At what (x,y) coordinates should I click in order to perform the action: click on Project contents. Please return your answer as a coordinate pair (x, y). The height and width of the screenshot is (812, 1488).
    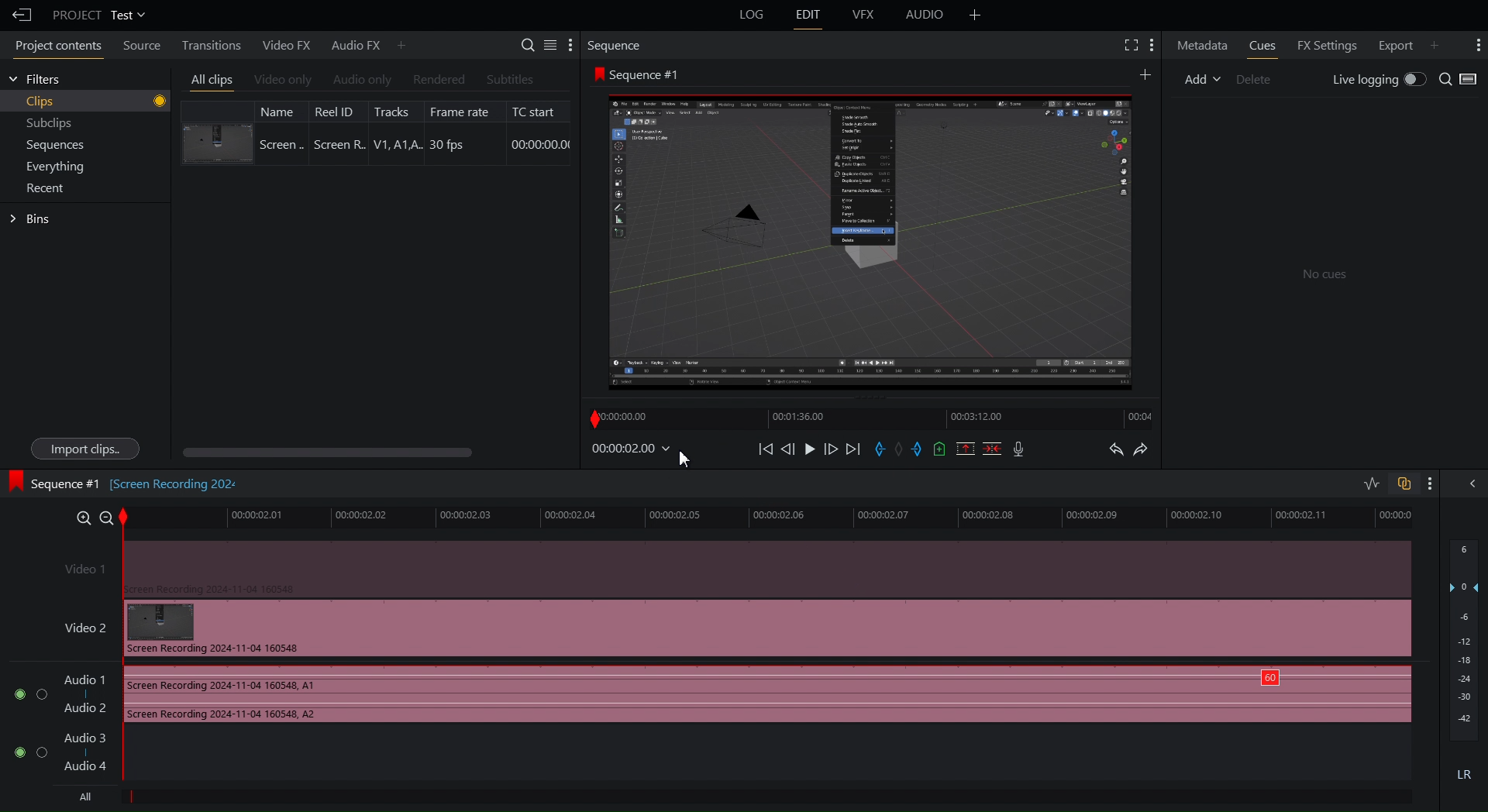
    Looking at the image, I should click on (54, 48).